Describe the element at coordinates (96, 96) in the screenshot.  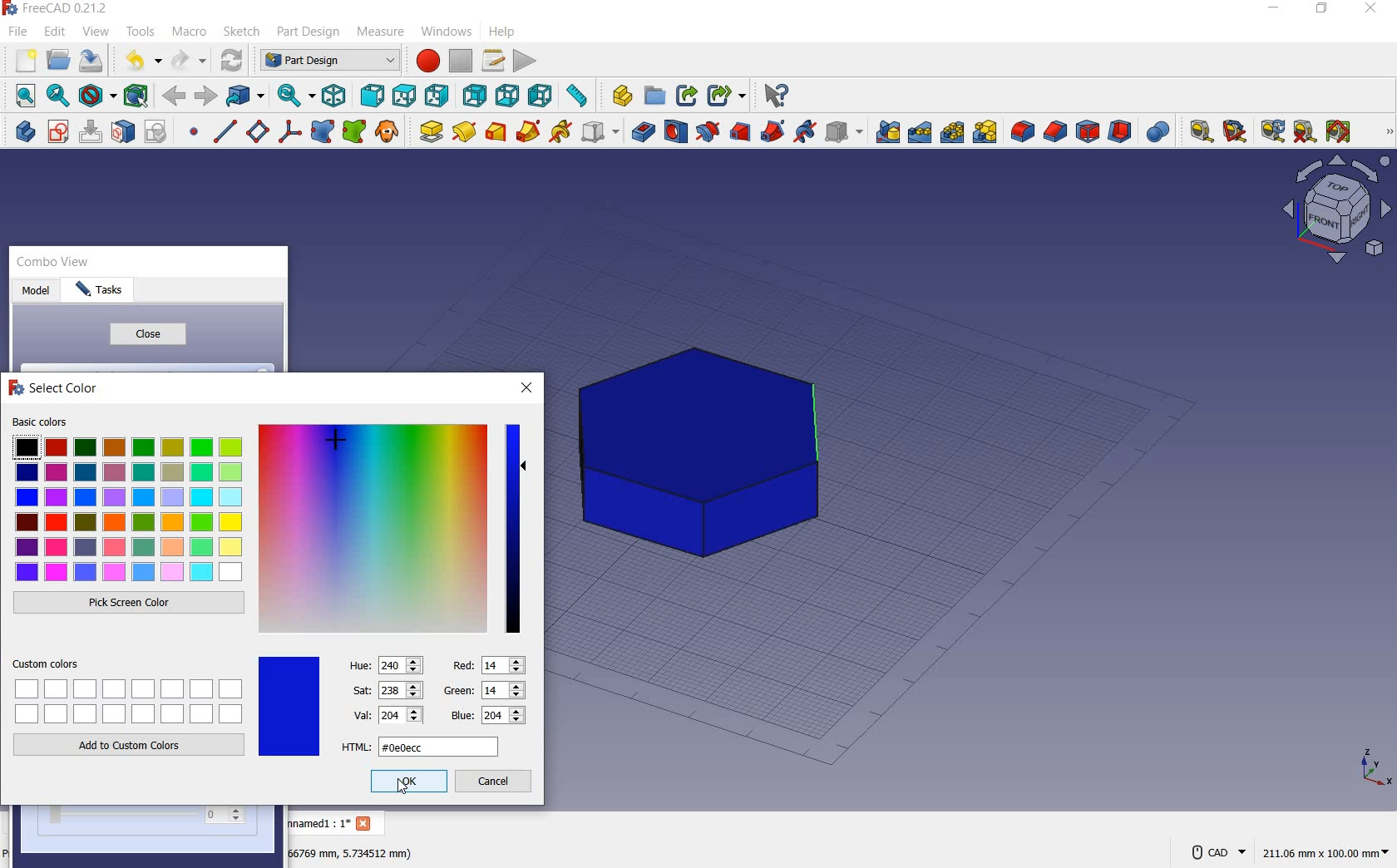
I see `draw style` at that location.